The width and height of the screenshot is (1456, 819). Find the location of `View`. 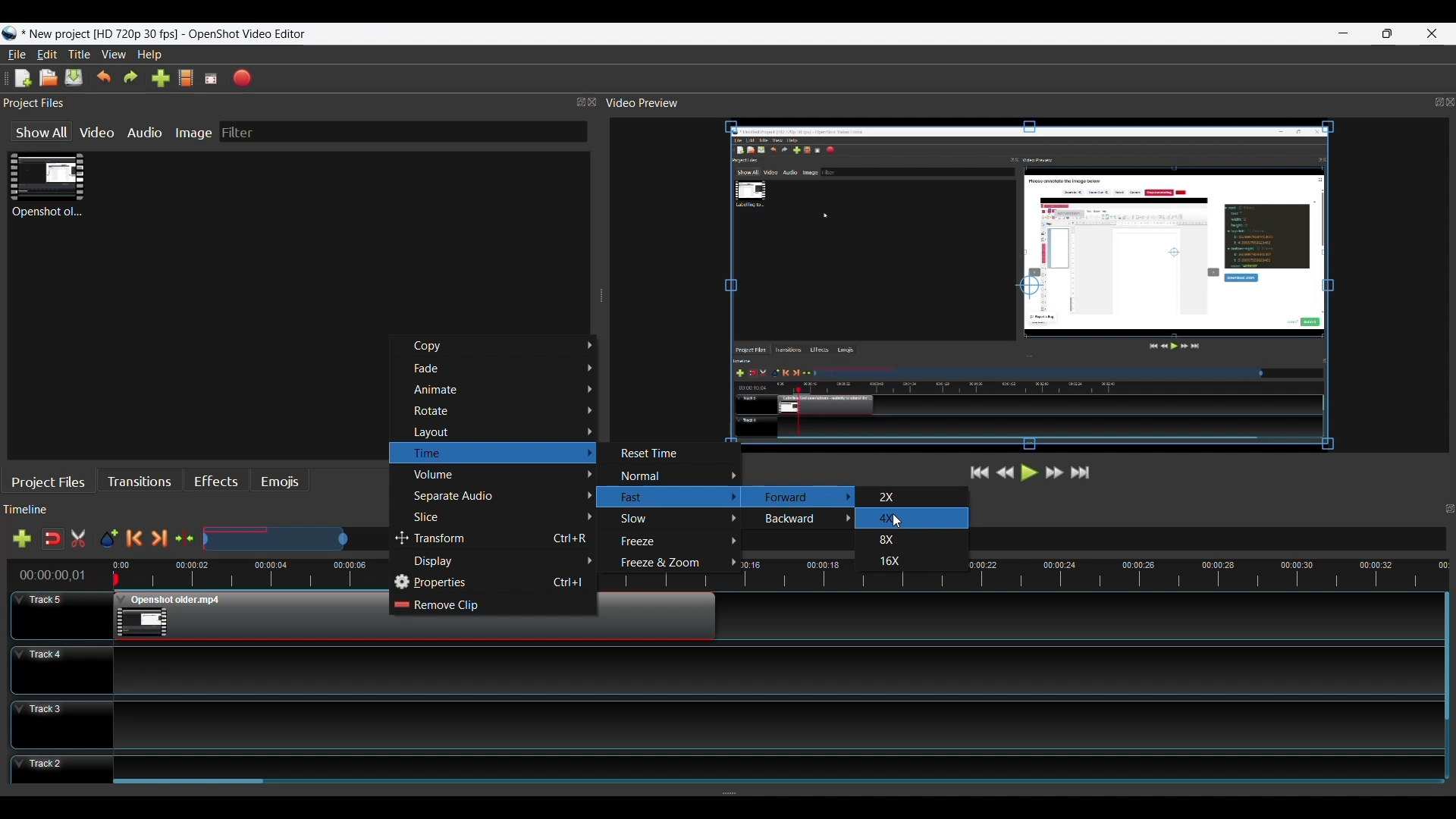

View is located at coordinates (113, 55).